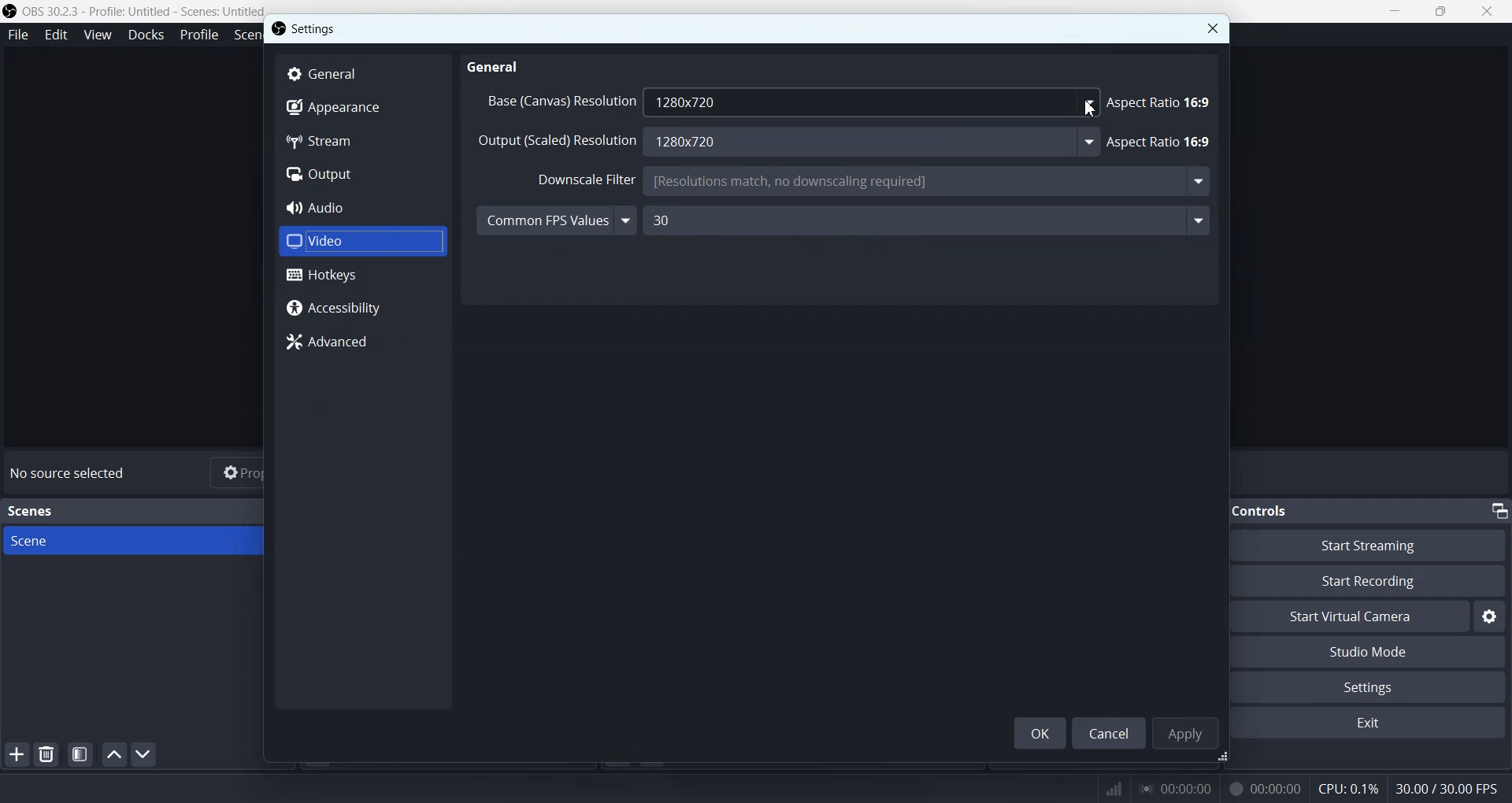  Describe the element at coordinates (362, 239) in the screenshot. I see `Video` at that location.